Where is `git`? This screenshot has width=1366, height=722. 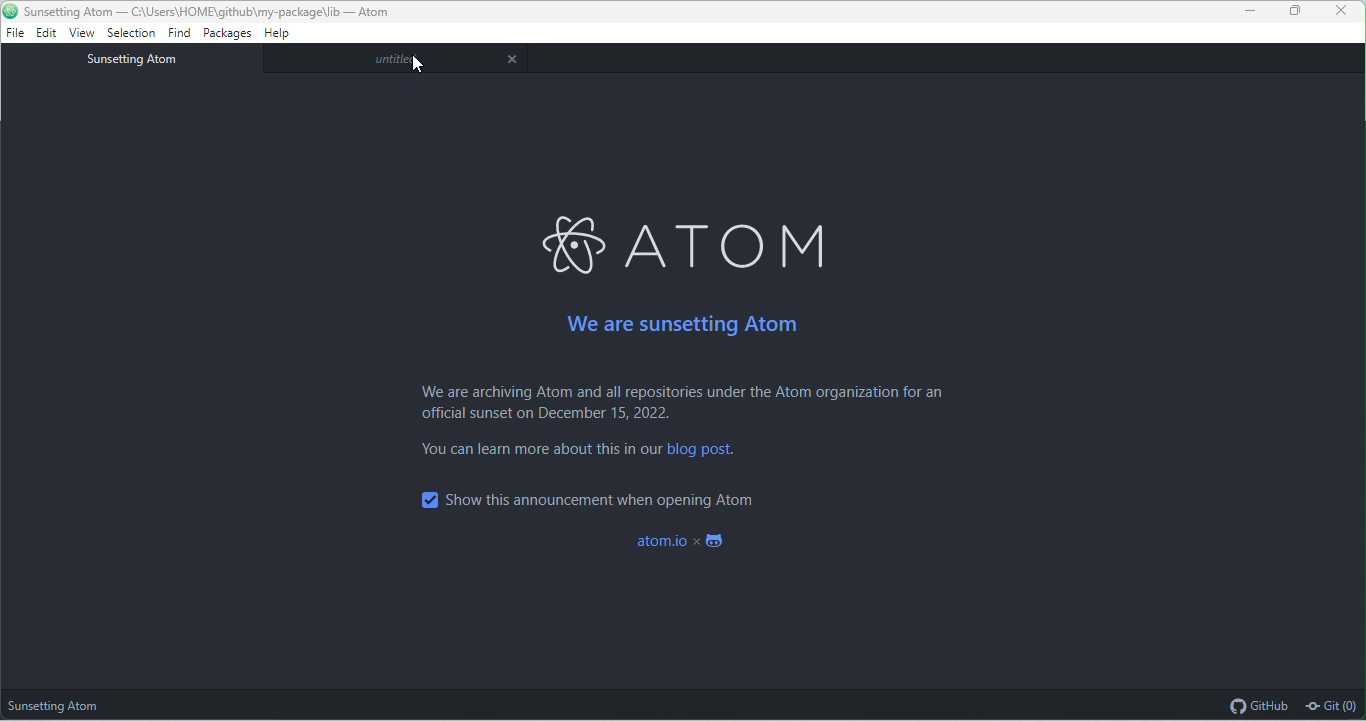 git is located at coordinates (1332, 703).